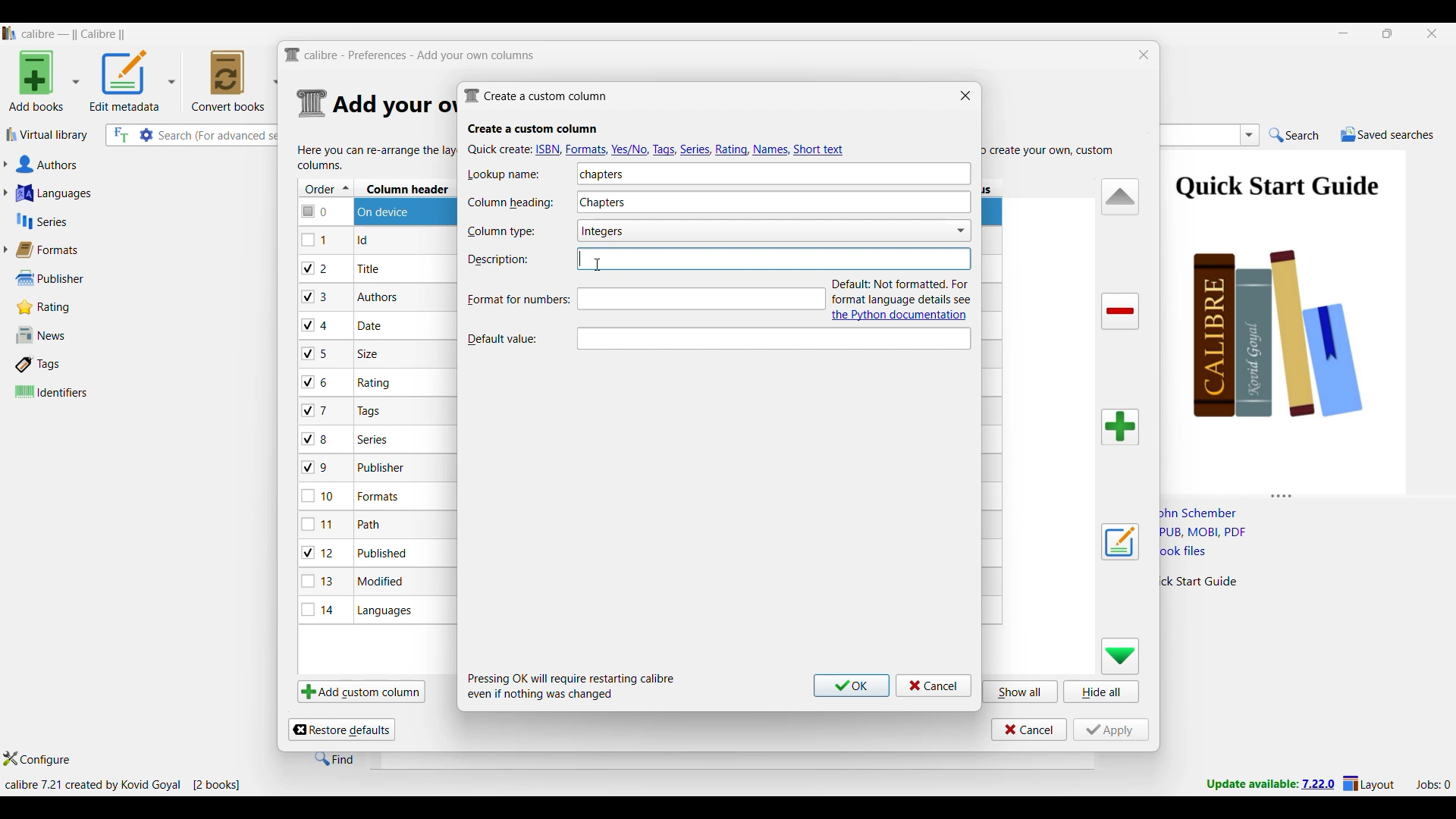  Describe the element at coordinates (315, 325) in the screenshot. I see `checkbox - 4` at that location.